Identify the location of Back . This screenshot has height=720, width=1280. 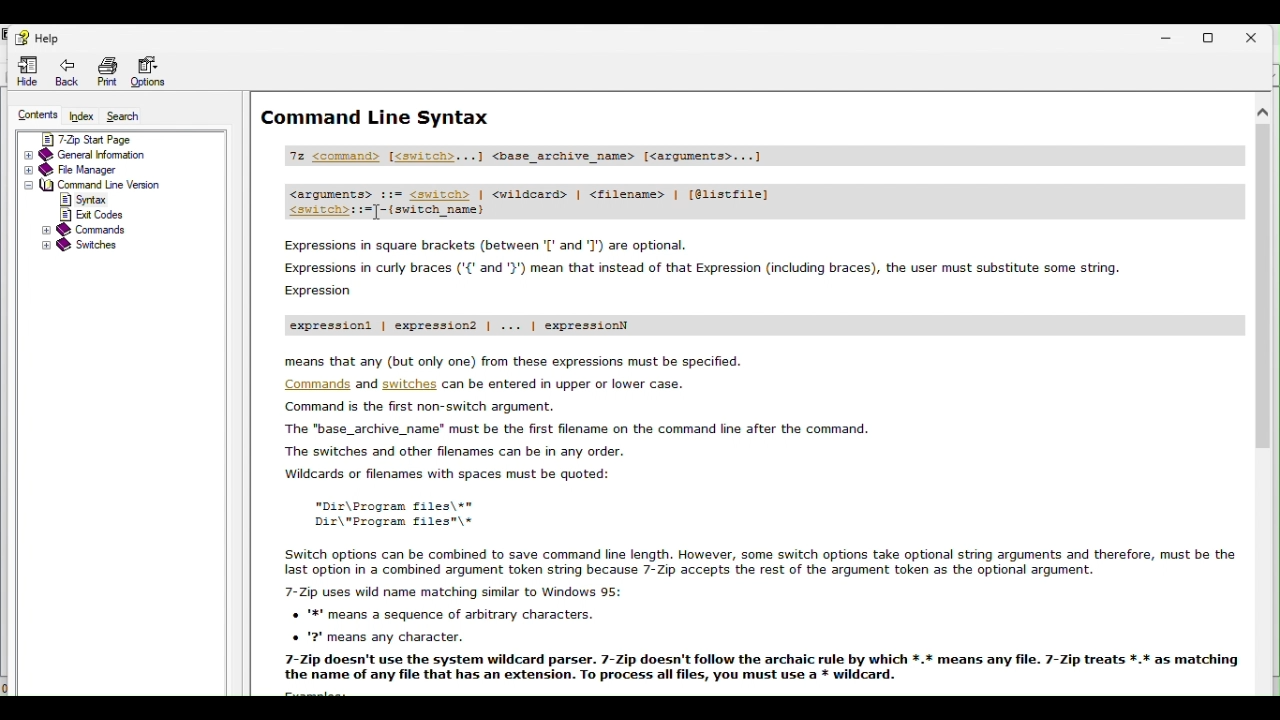
(70, 73).